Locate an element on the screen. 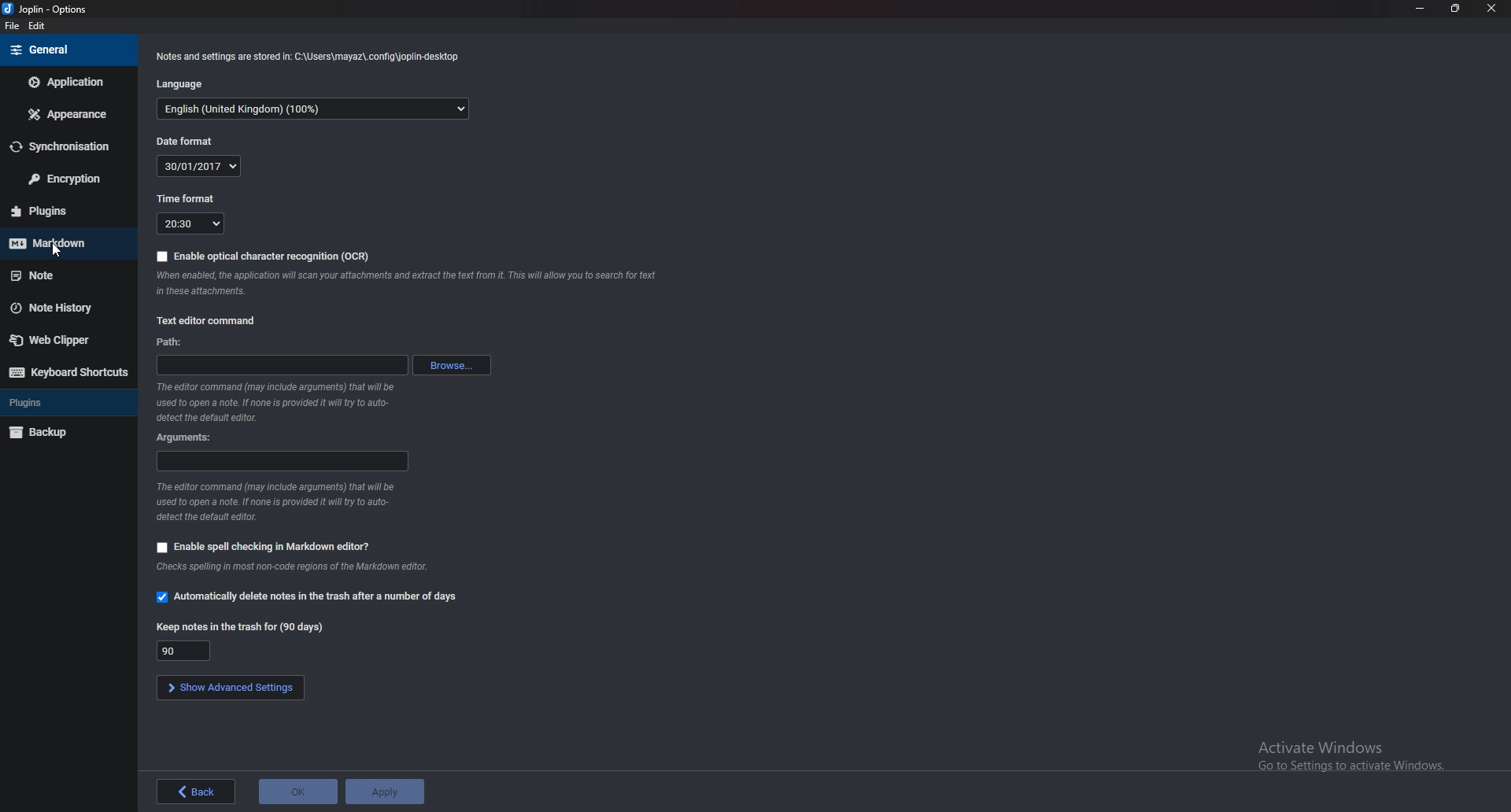 This screenshot has height=812, width=1511. Appearance is located at coordinates (63, 116).